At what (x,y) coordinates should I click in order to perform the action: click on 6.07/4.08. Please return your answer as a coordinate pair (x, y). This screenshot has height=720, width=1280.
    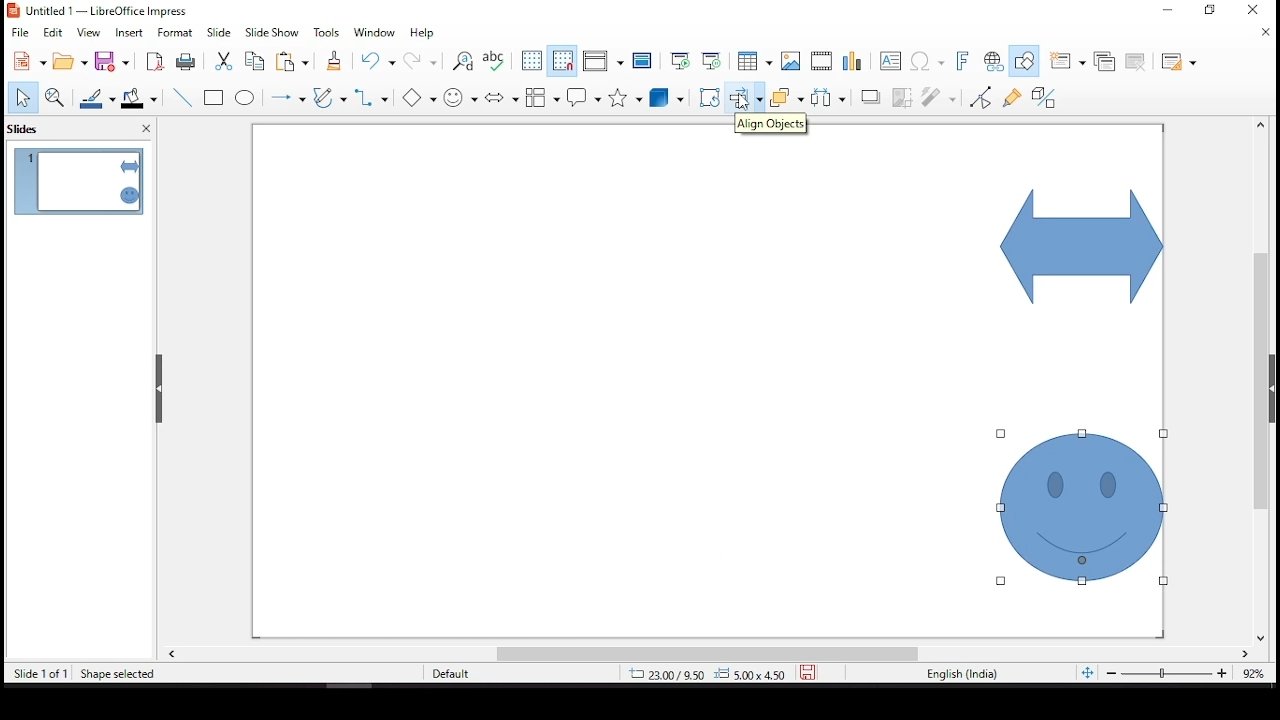
    Looking at the image, I should click on (665, 674).